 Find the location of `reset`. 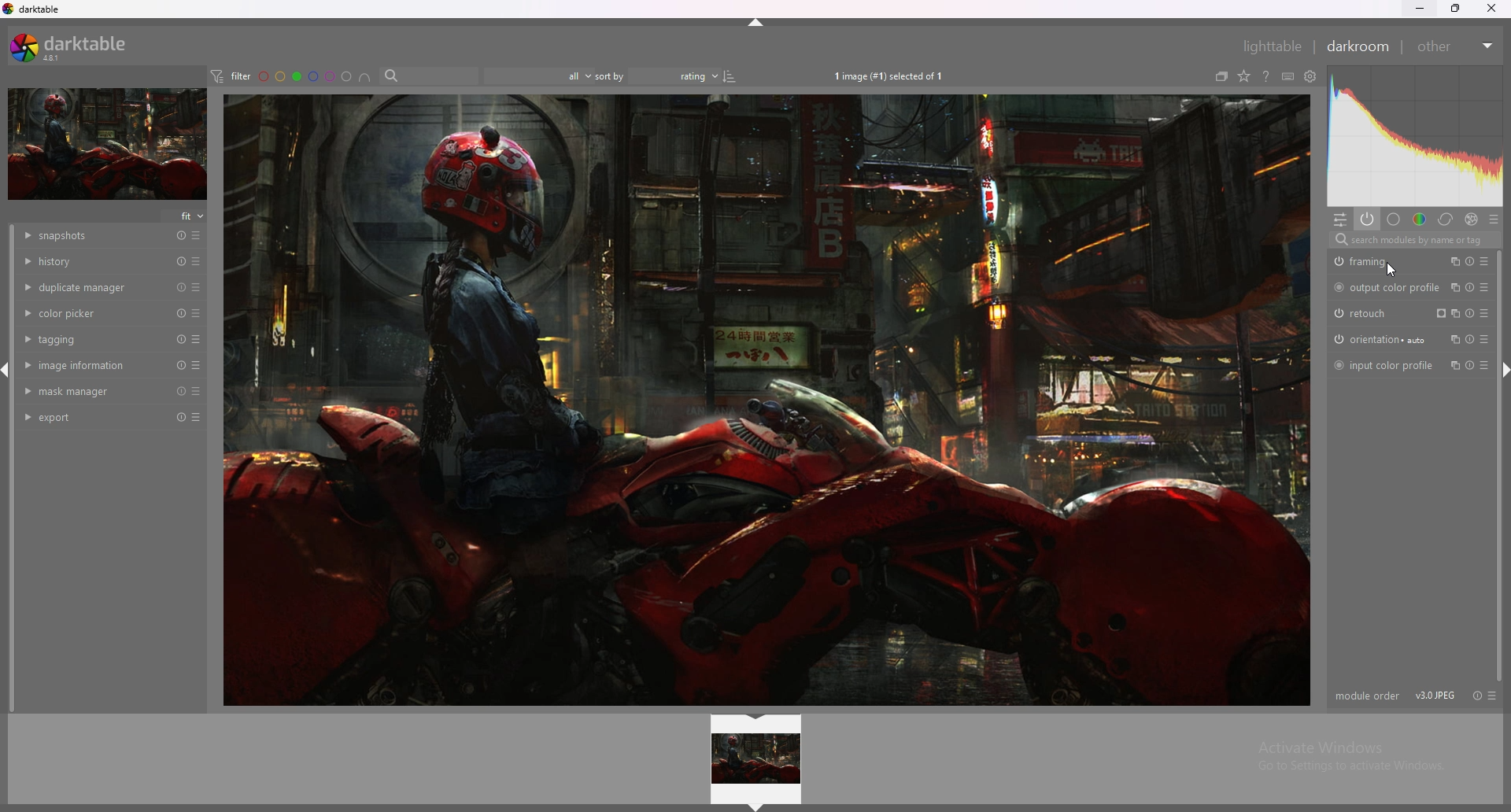

reset is located at coordinates (1470, 367).